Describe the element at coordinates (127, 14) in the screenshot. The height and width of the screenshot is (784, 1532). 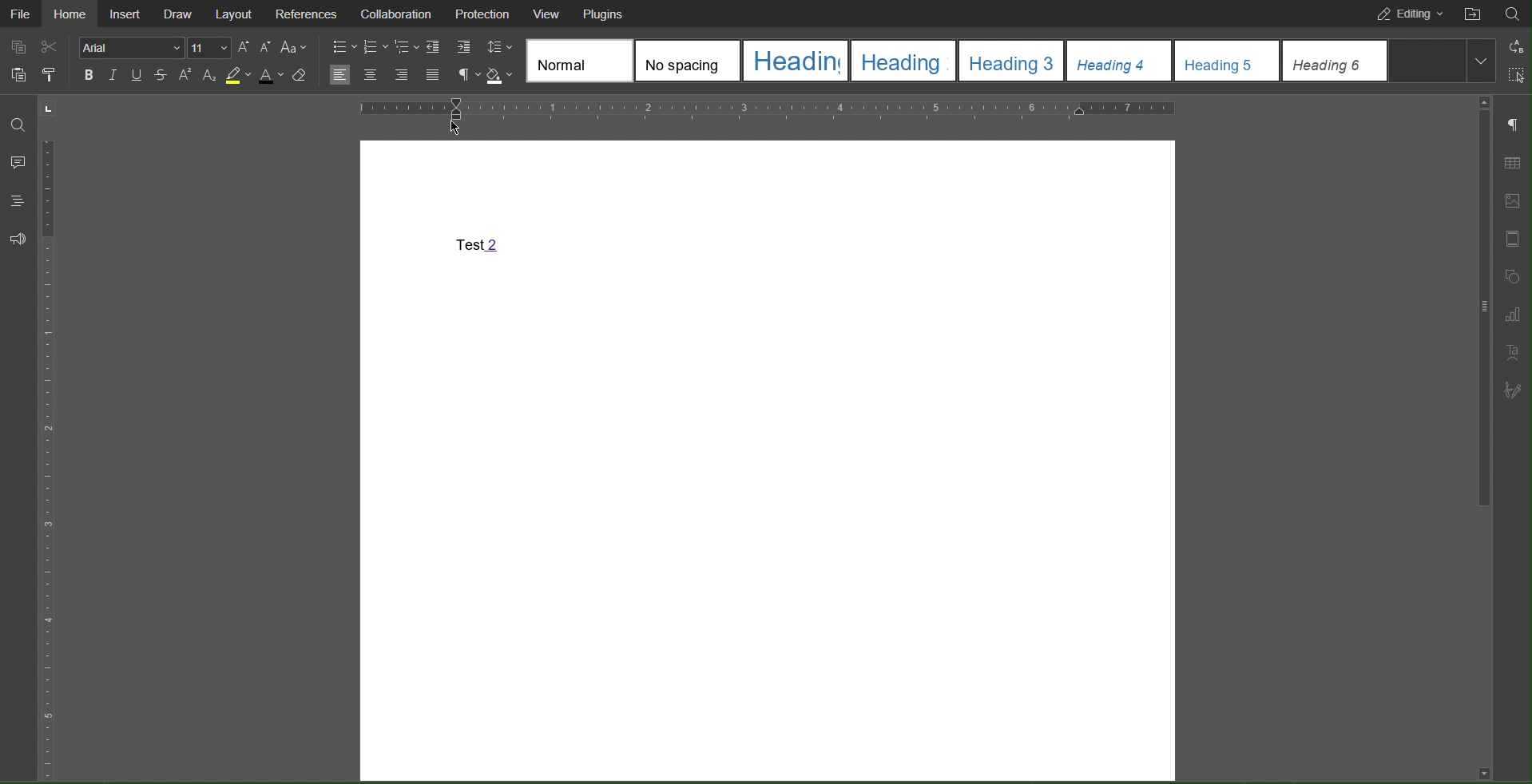
I see `Insert` at that location.